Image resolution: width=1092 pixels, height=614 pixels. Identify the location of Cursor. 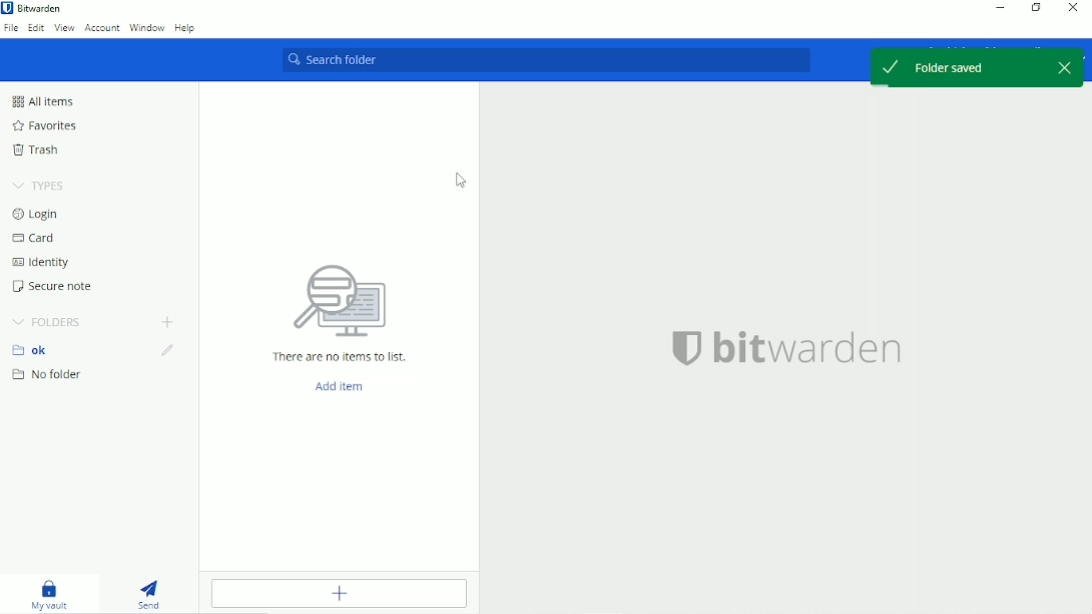
(460, 181).